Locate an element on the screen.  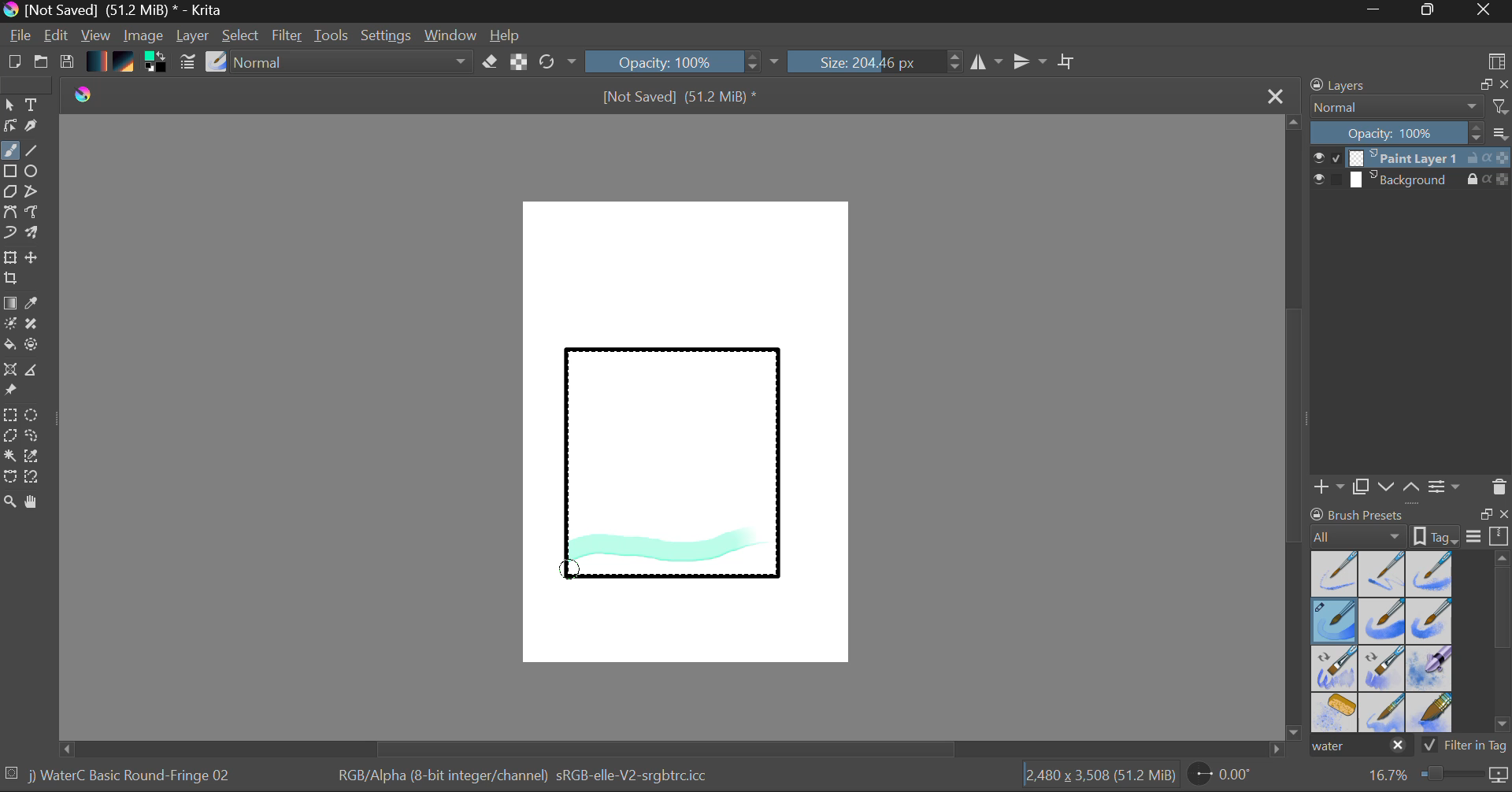
Background Layer is located at coordinates (1411, 180).